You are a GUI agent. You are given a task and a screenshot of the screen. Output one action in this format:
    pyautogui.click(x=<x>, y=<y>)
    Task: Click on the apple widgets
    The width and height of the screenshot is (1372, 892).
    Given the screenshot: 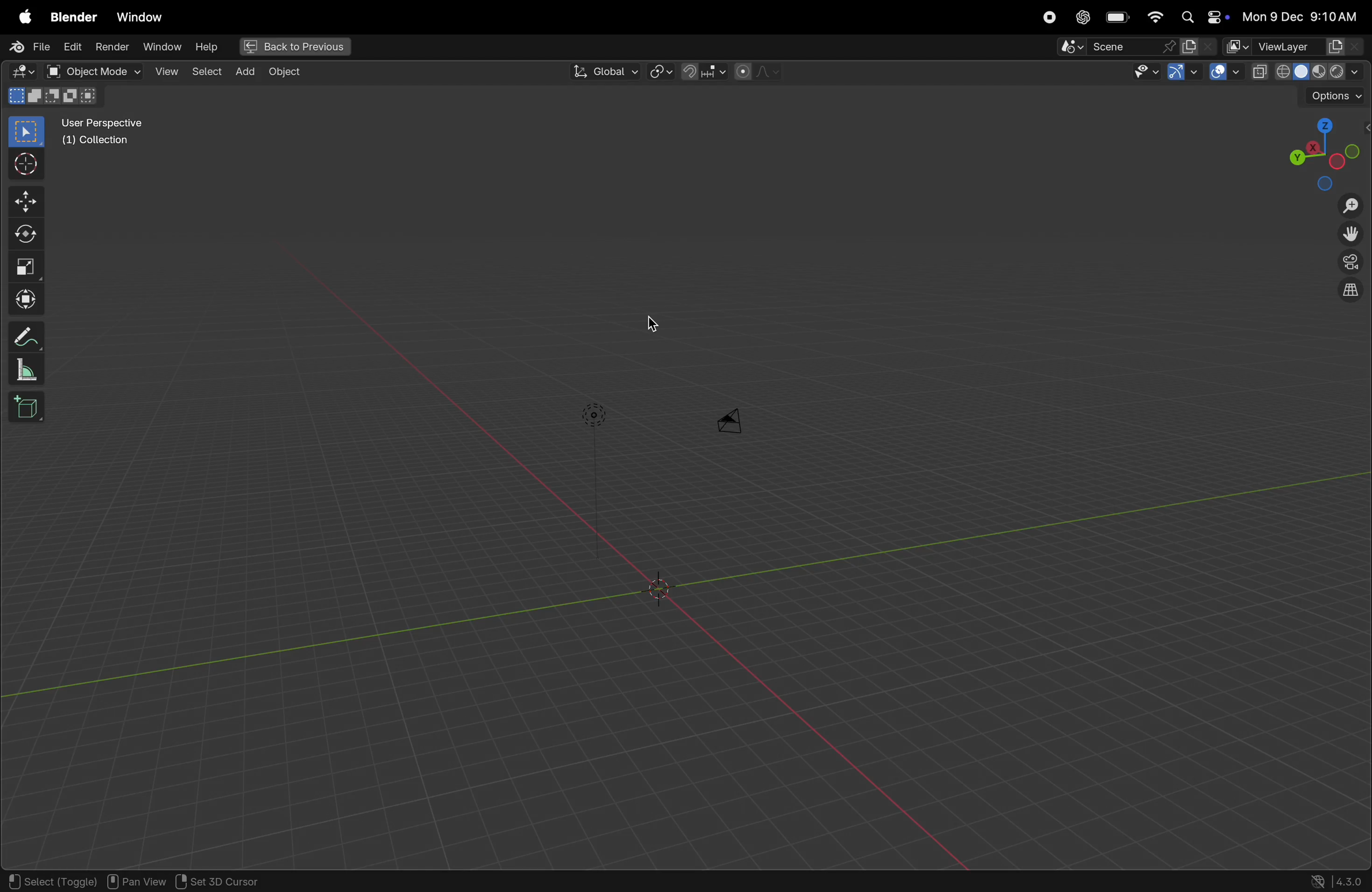 What is the action you would take?
    pyautogui.click(x=1203, y=18)
    